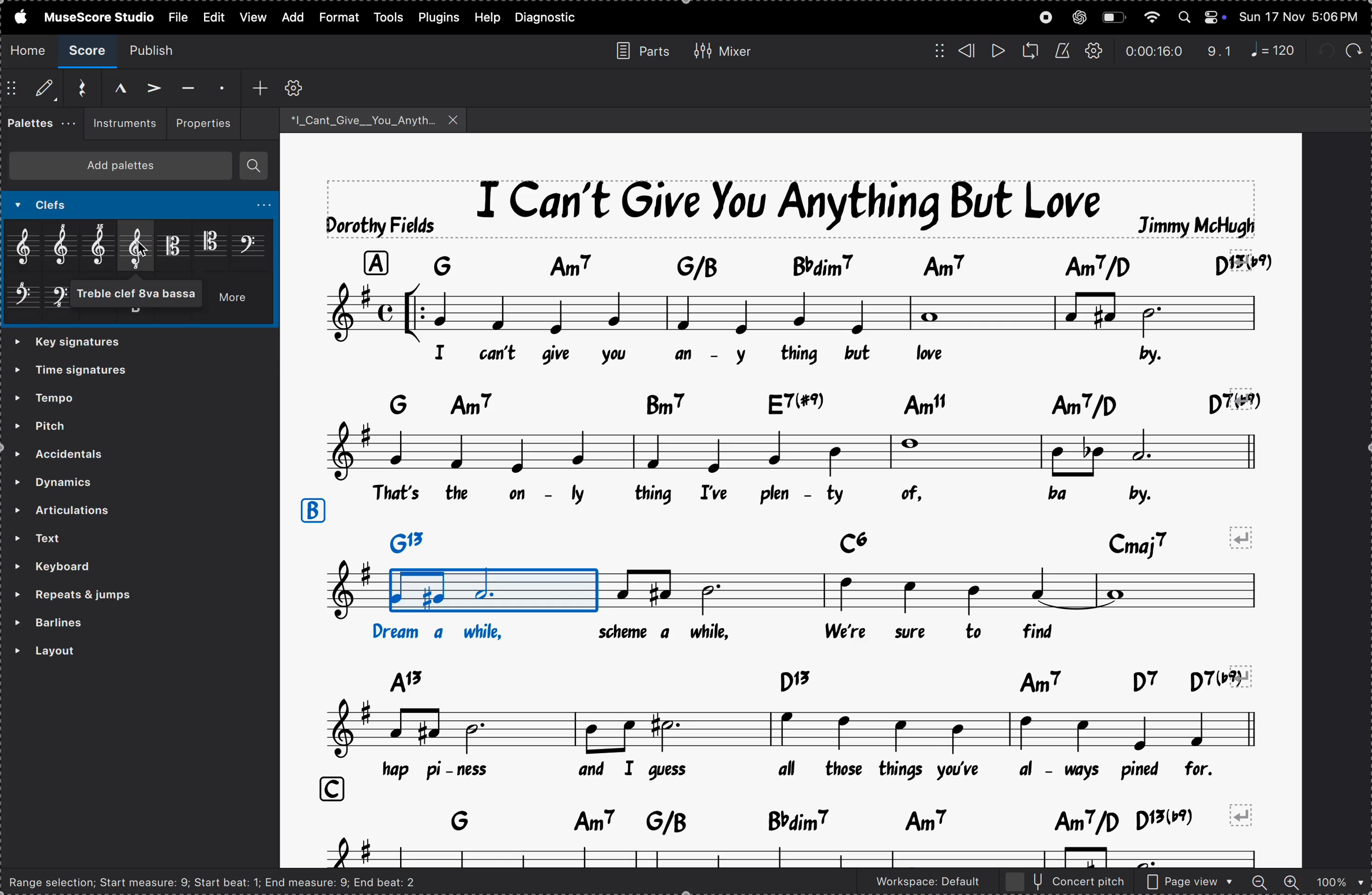 The height and width of the screenshot is (895, 1372). What do you see at coordinates (177, 16) in the screenshot?
I see `file` at bounding box center [177, 16].